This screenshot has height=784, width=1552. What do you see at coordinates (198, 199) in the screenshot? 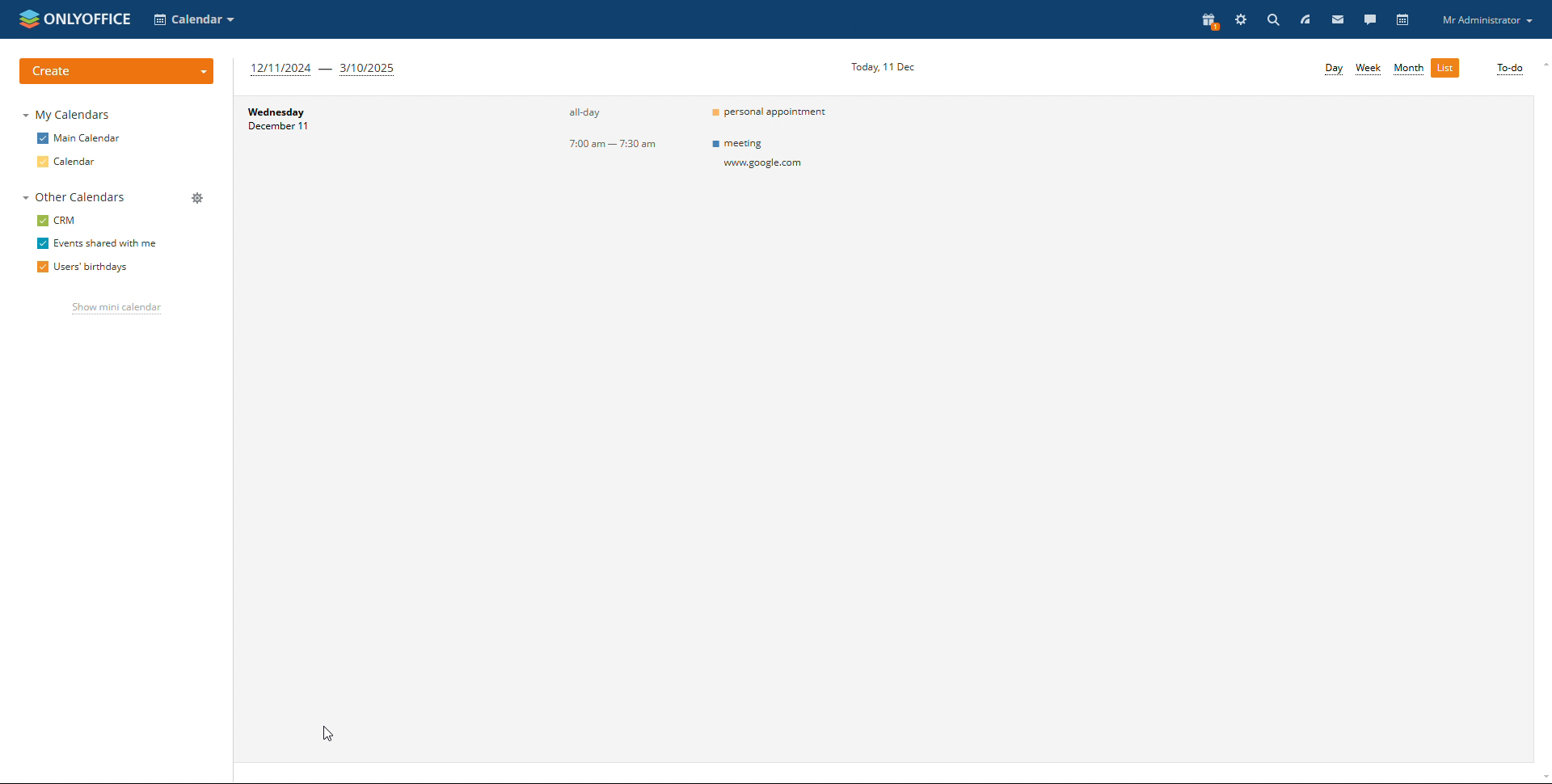
I see `manage` at bounding box center [198, 199].